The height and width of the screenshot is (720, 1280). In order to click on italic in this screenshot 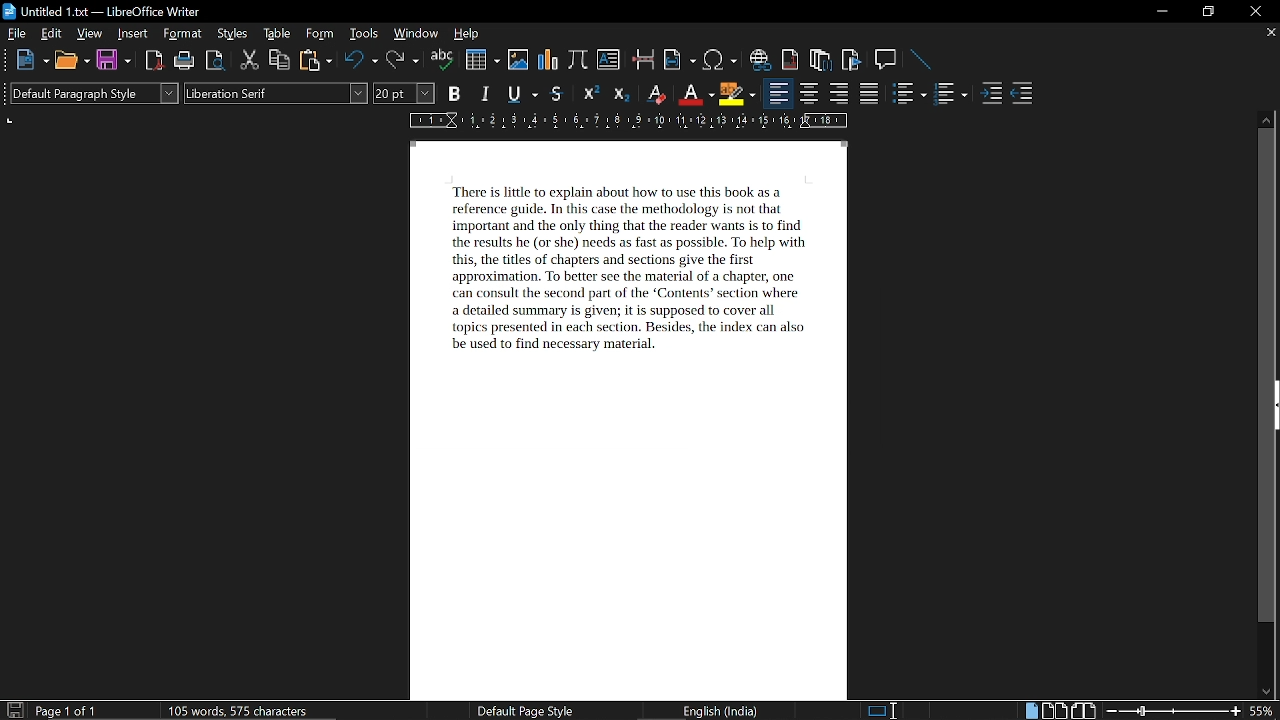, I will do `click(486, 92)`.